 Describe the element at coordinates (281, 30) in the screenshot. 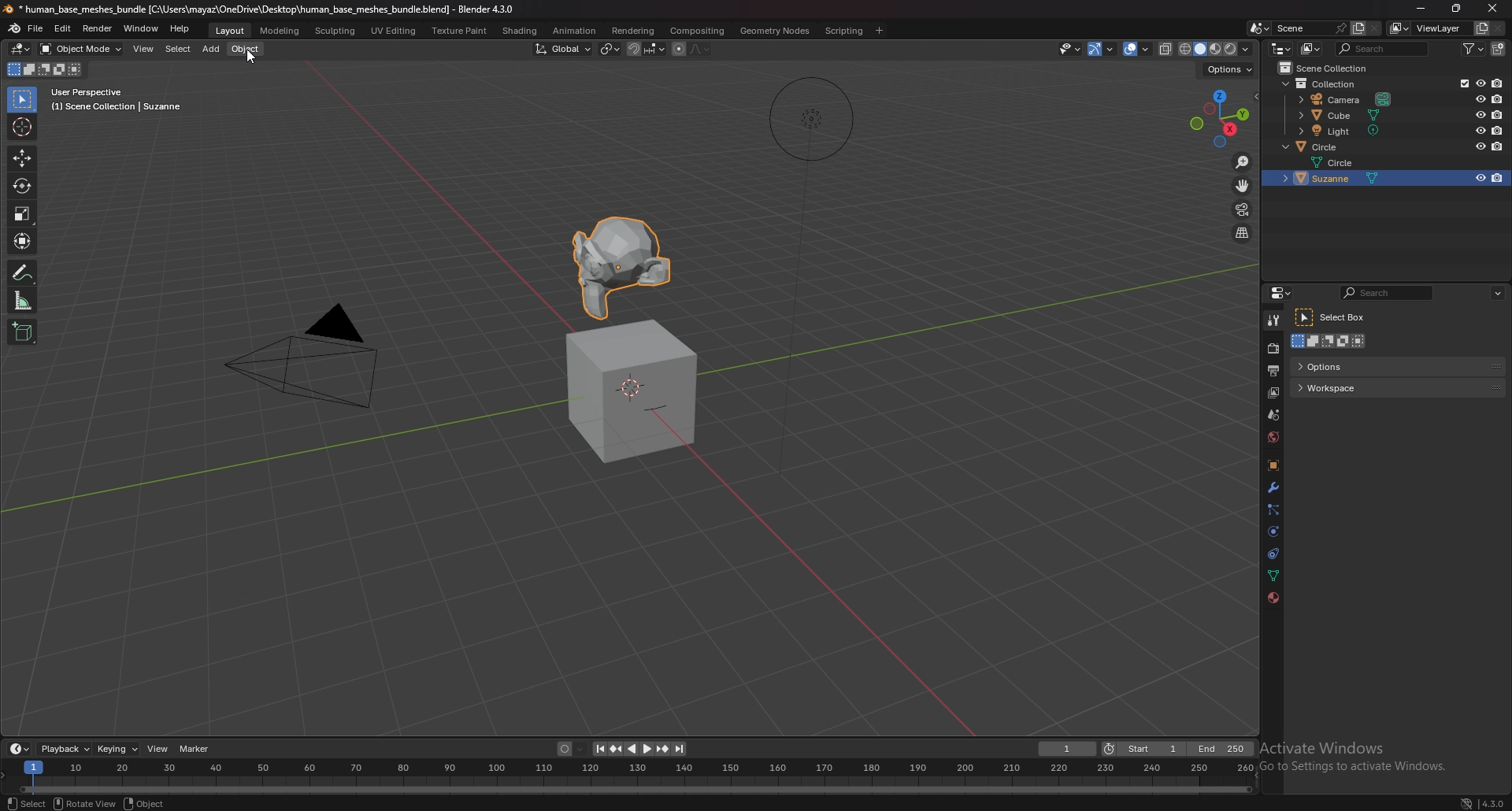

I see `modeling` at that location.